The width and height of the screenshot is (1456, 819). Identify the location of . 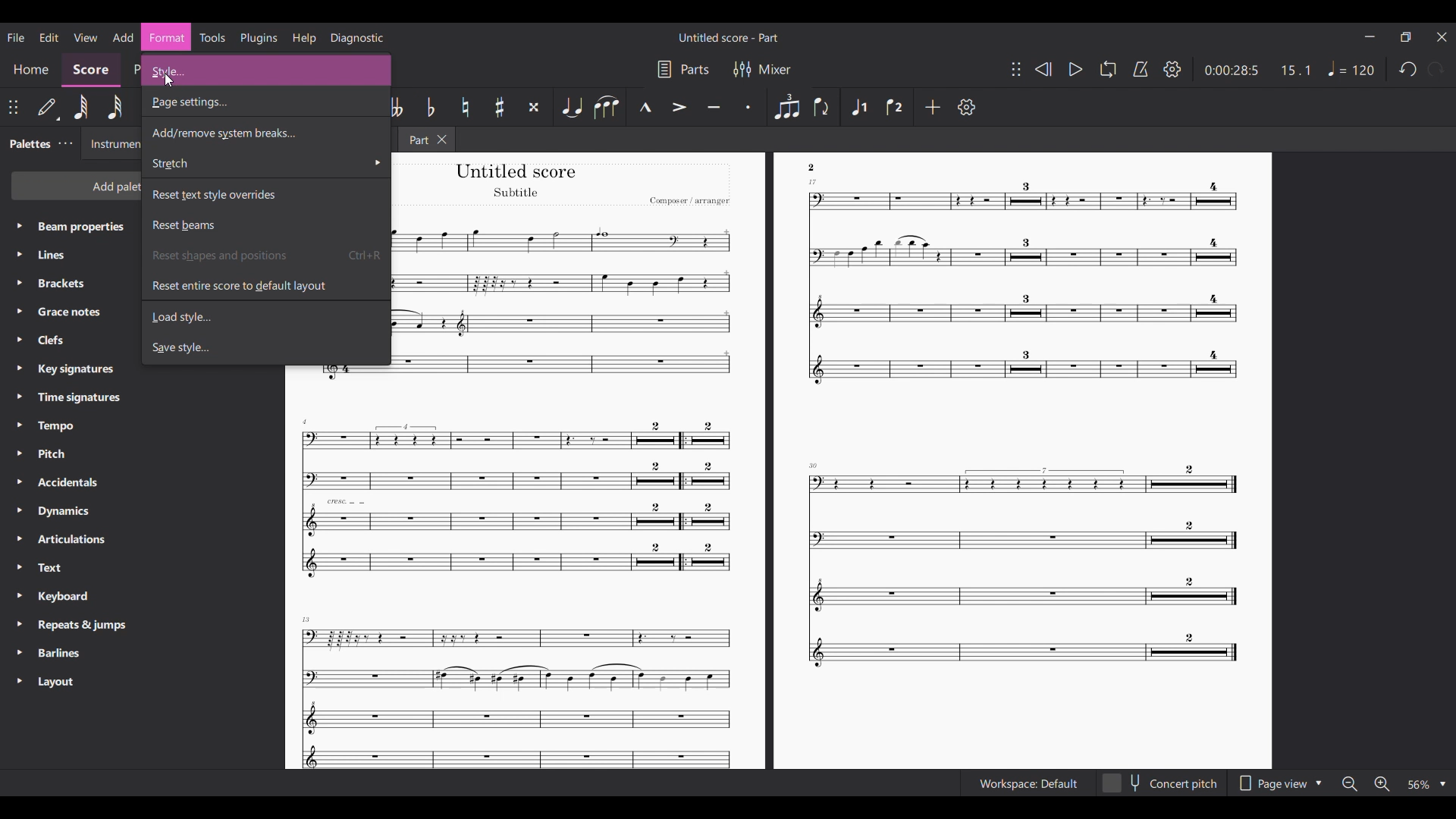
(516, 501).